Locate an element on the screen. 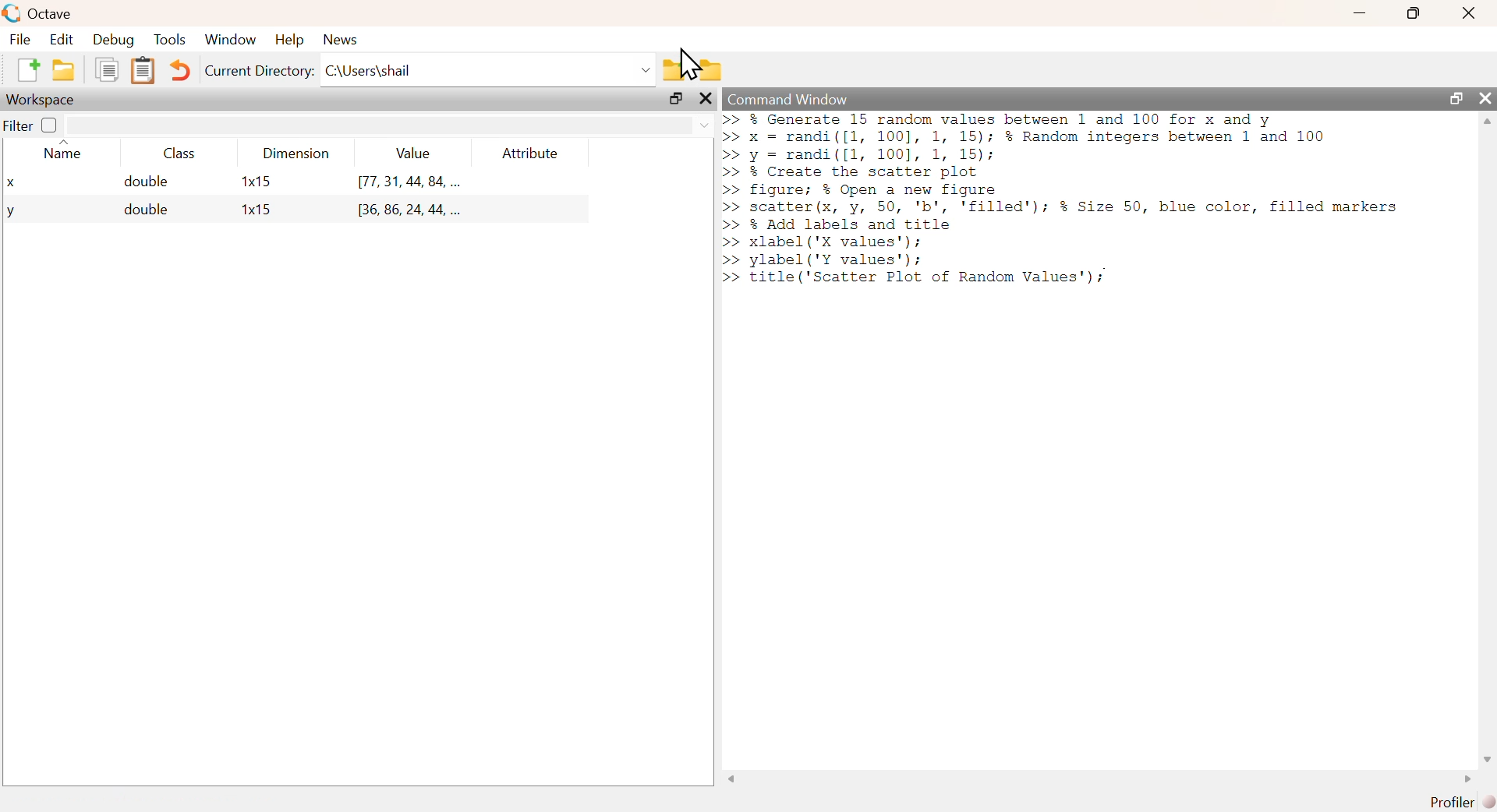  close is located at coordinates (1471, 13).